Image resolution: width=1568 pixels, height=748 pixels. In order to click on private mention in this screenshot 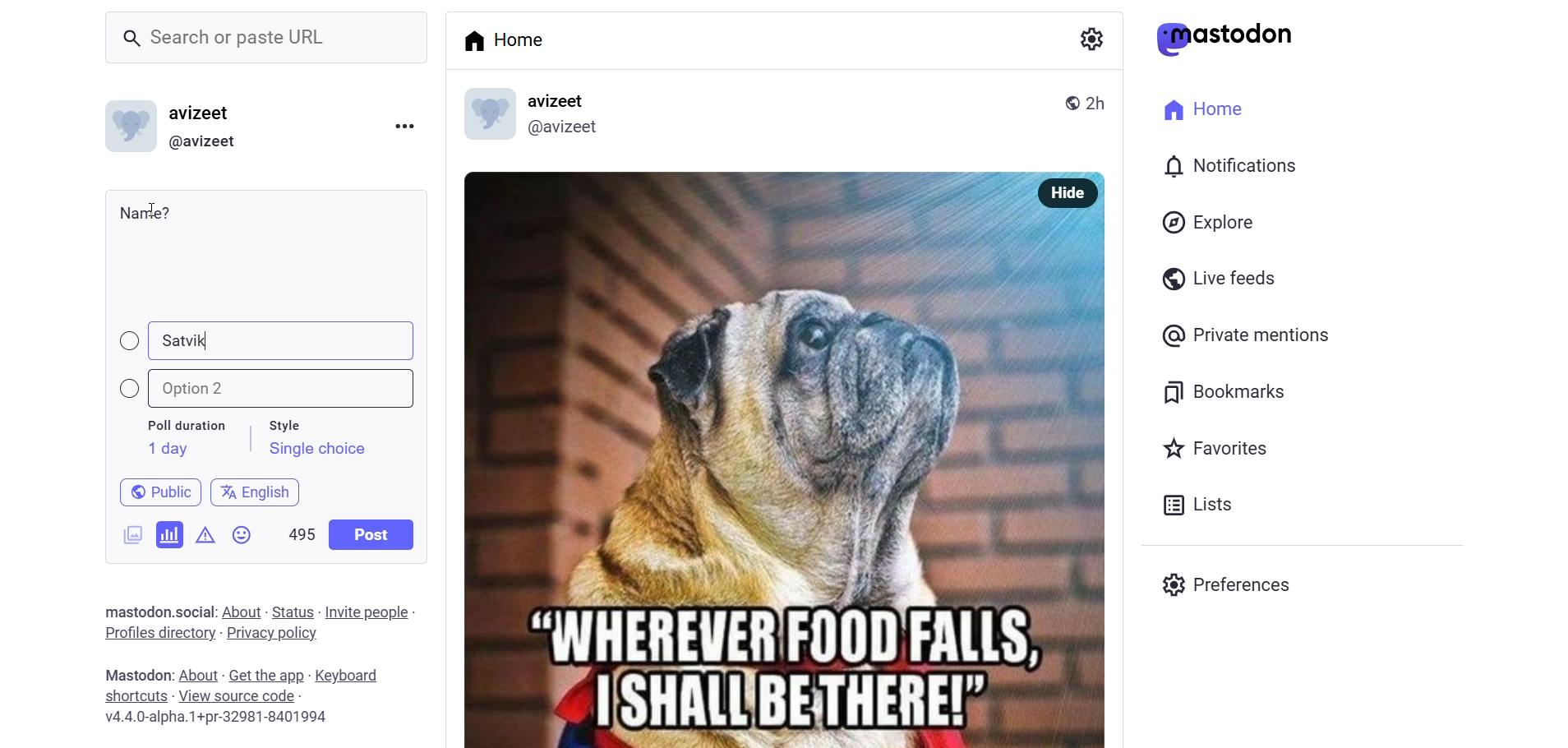, I will do `click(1247, 335)`.